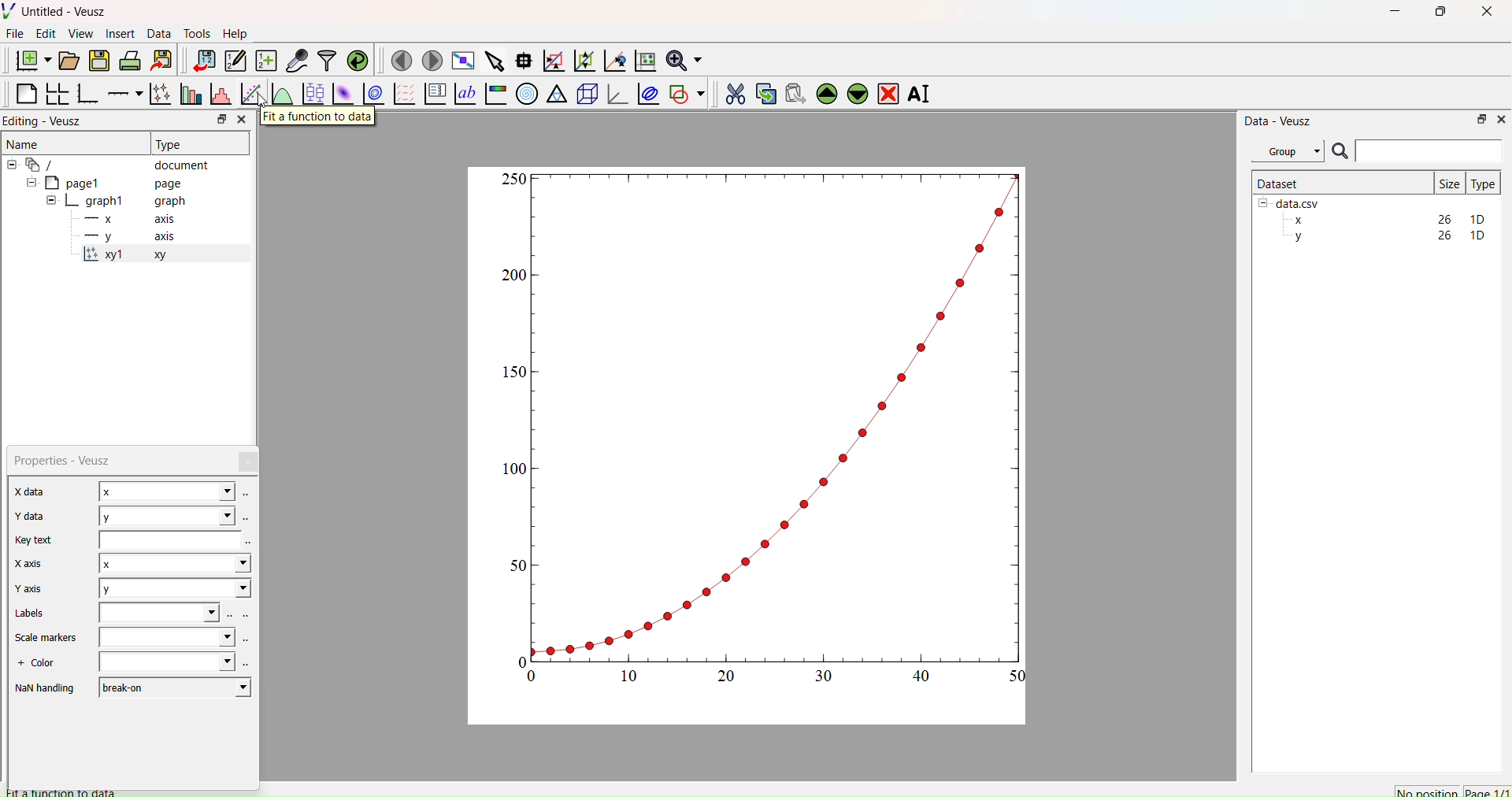 The width and height of the screenshot is (1512, 797). I want to click on Fit a function to data, so click(317, 117).